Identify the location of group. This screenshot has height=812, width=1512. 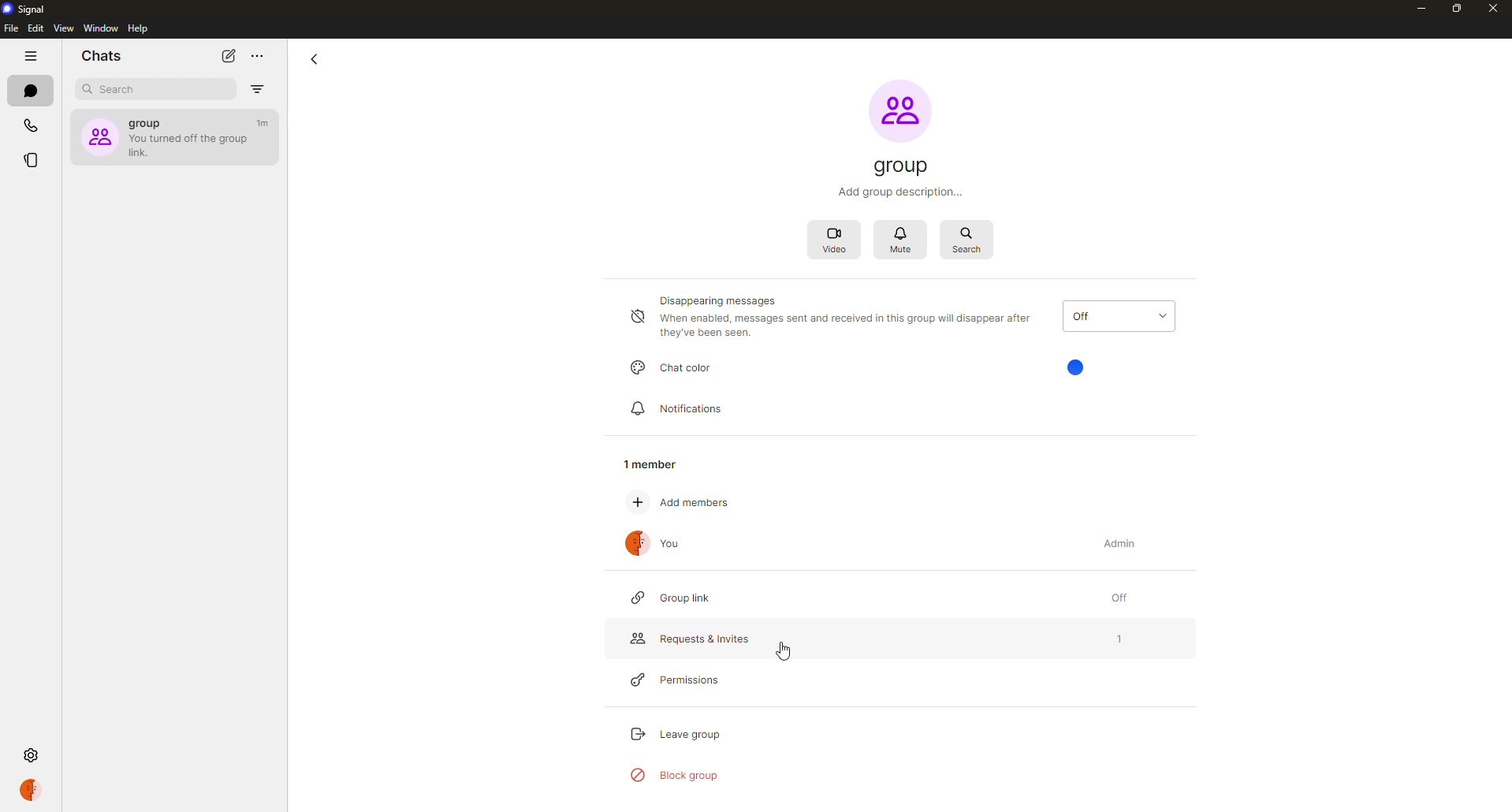
(172, 135).